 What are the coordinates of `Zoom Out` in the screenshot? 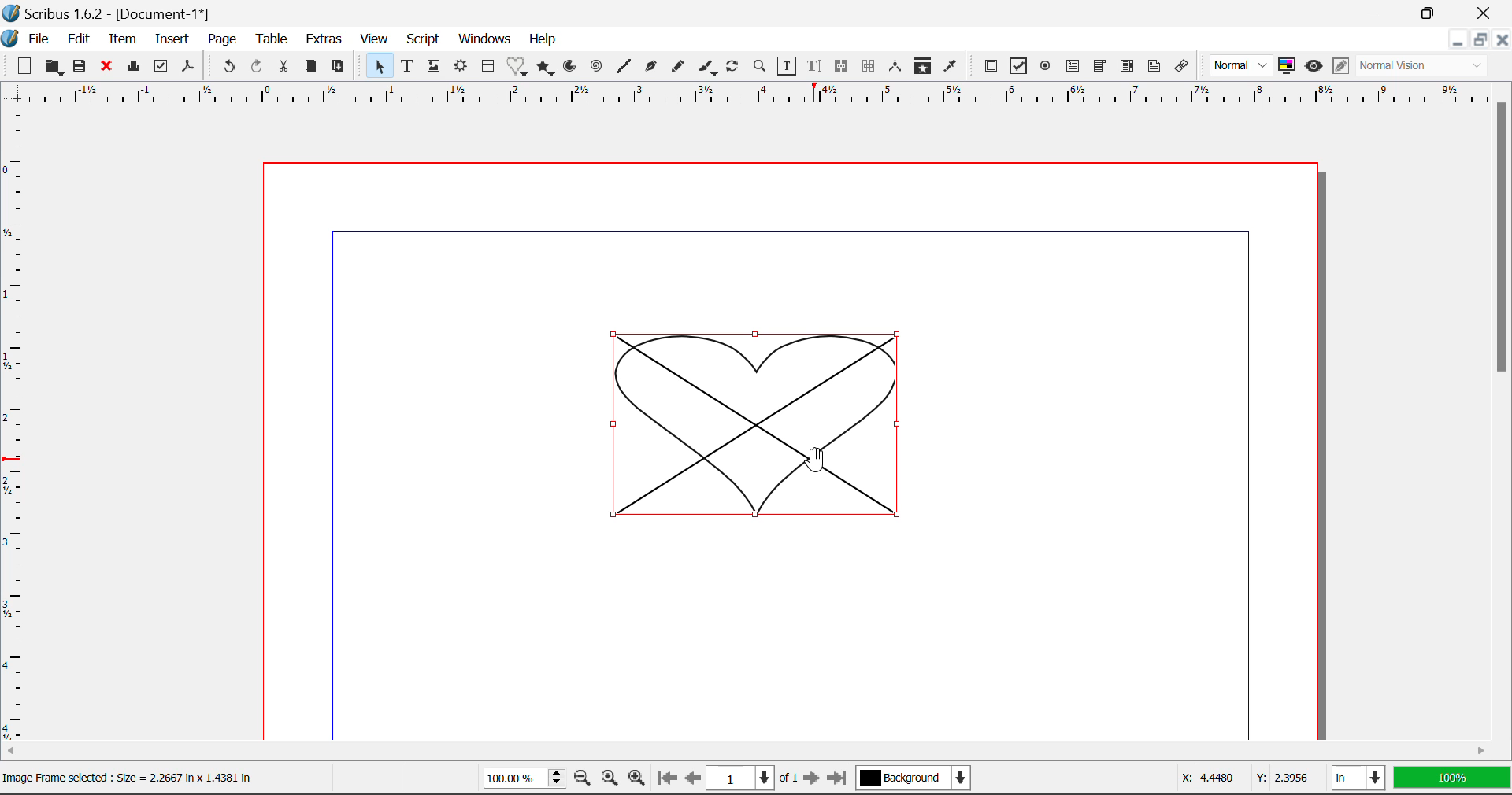 It's located at (583, 779).